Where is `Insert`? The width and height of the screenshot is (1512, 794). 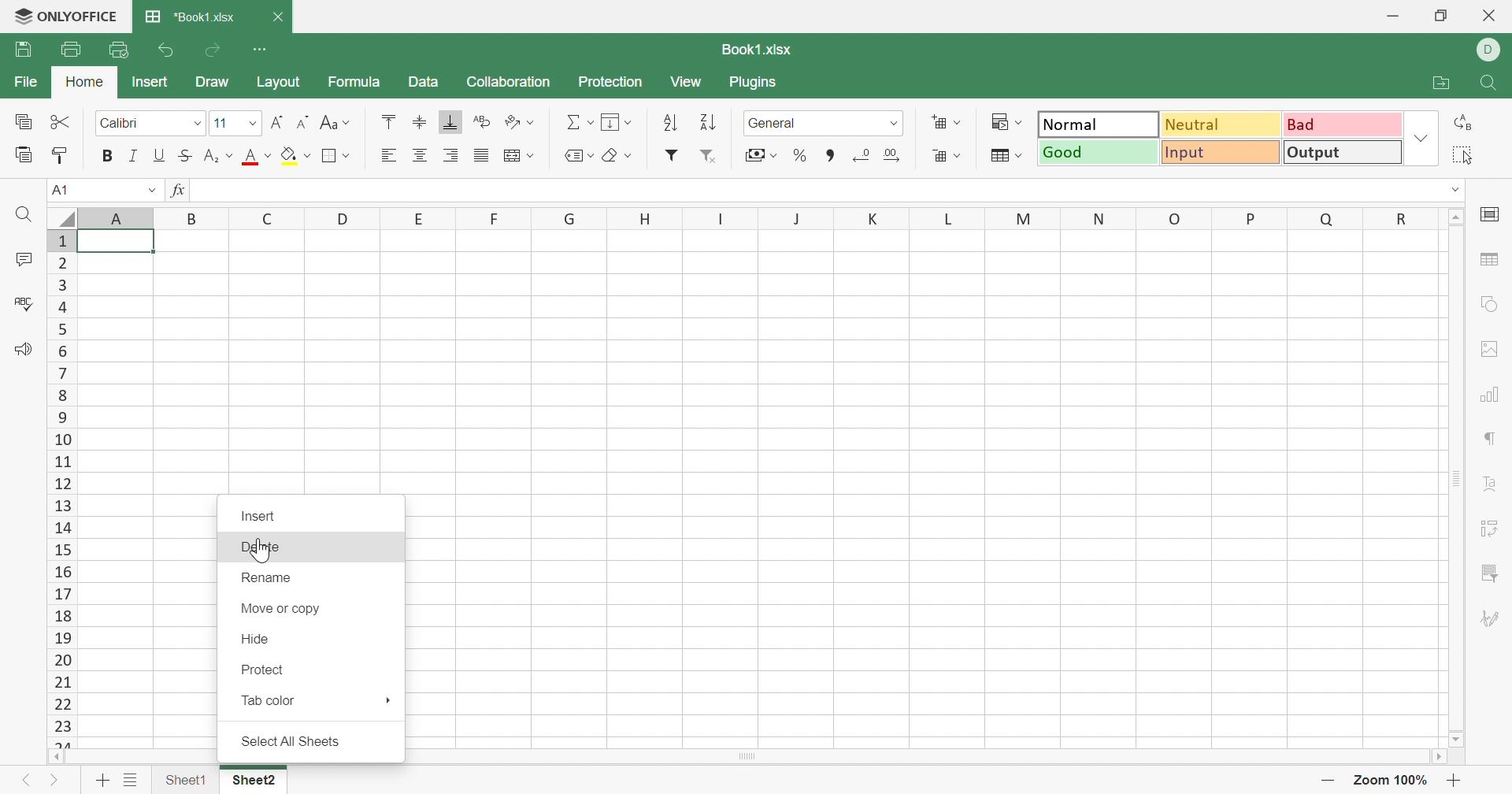 Insert is located at coordinates (259, 515).